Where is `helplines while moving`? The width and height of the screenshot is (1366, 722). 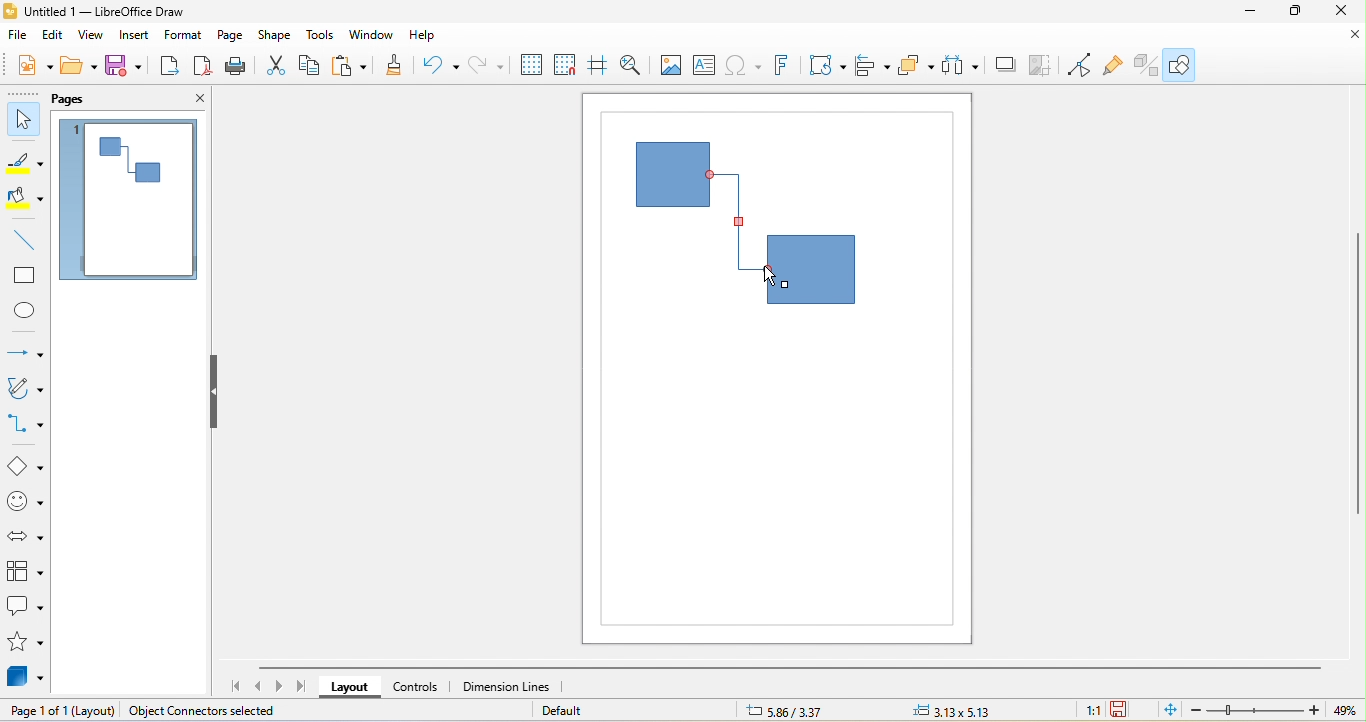
helplines while moving is located at coordinates (601, 64).